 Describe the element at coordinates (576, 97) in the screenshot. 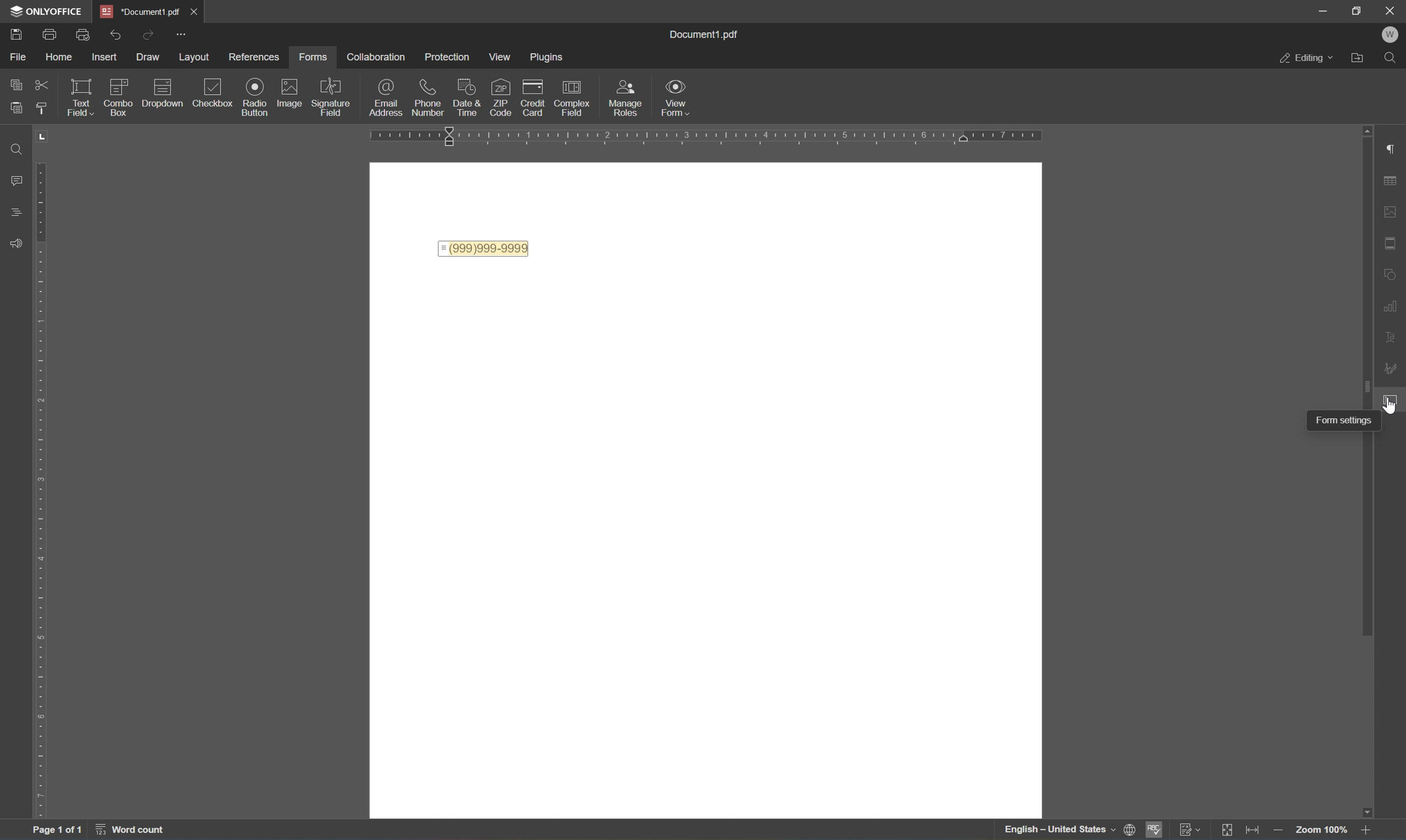

I see `complex field` at that location.